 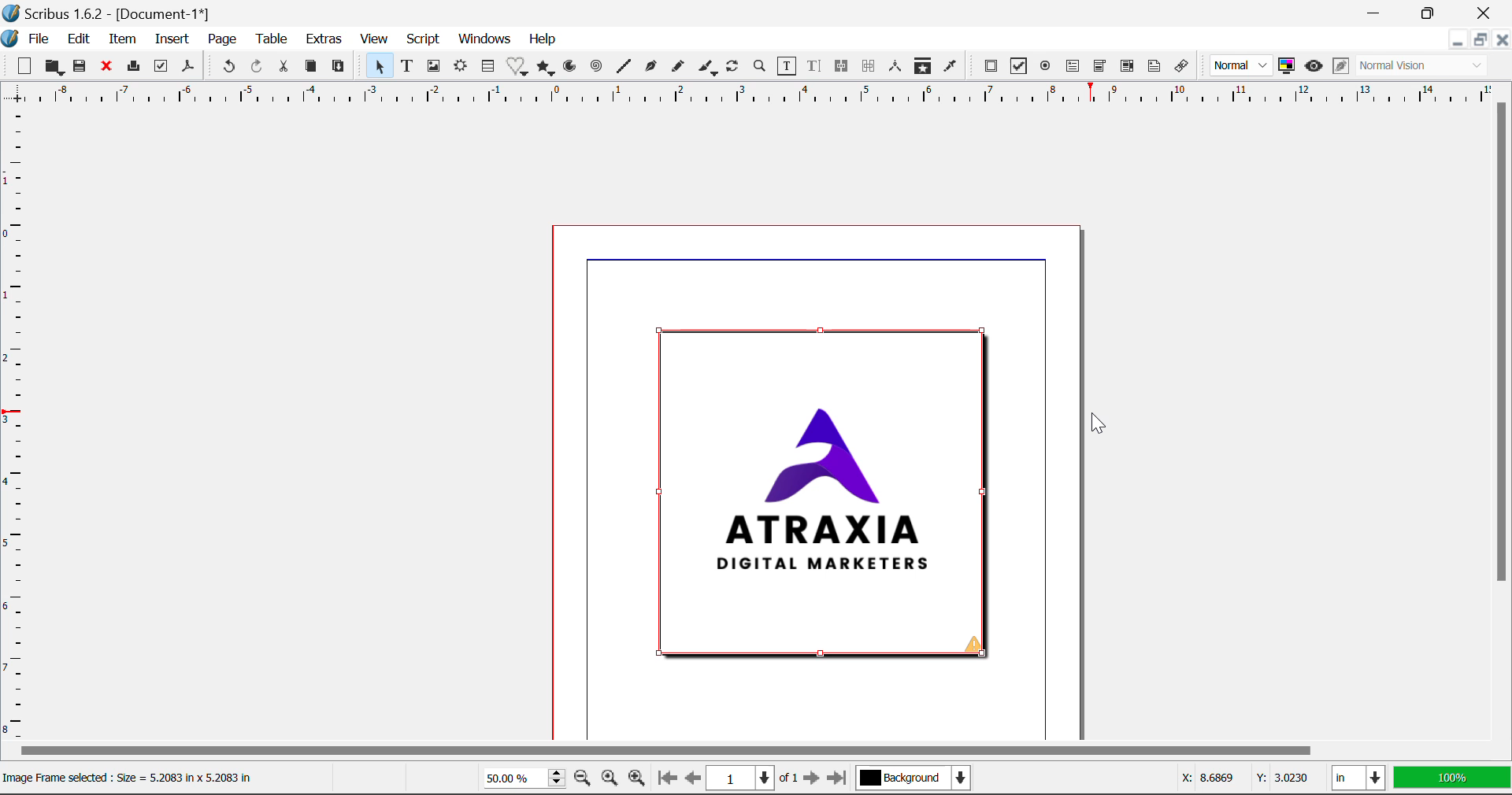 What do you see at coordinates (667, 781) in the screenshot?
I see `First page` at bounding box center [667, 781].